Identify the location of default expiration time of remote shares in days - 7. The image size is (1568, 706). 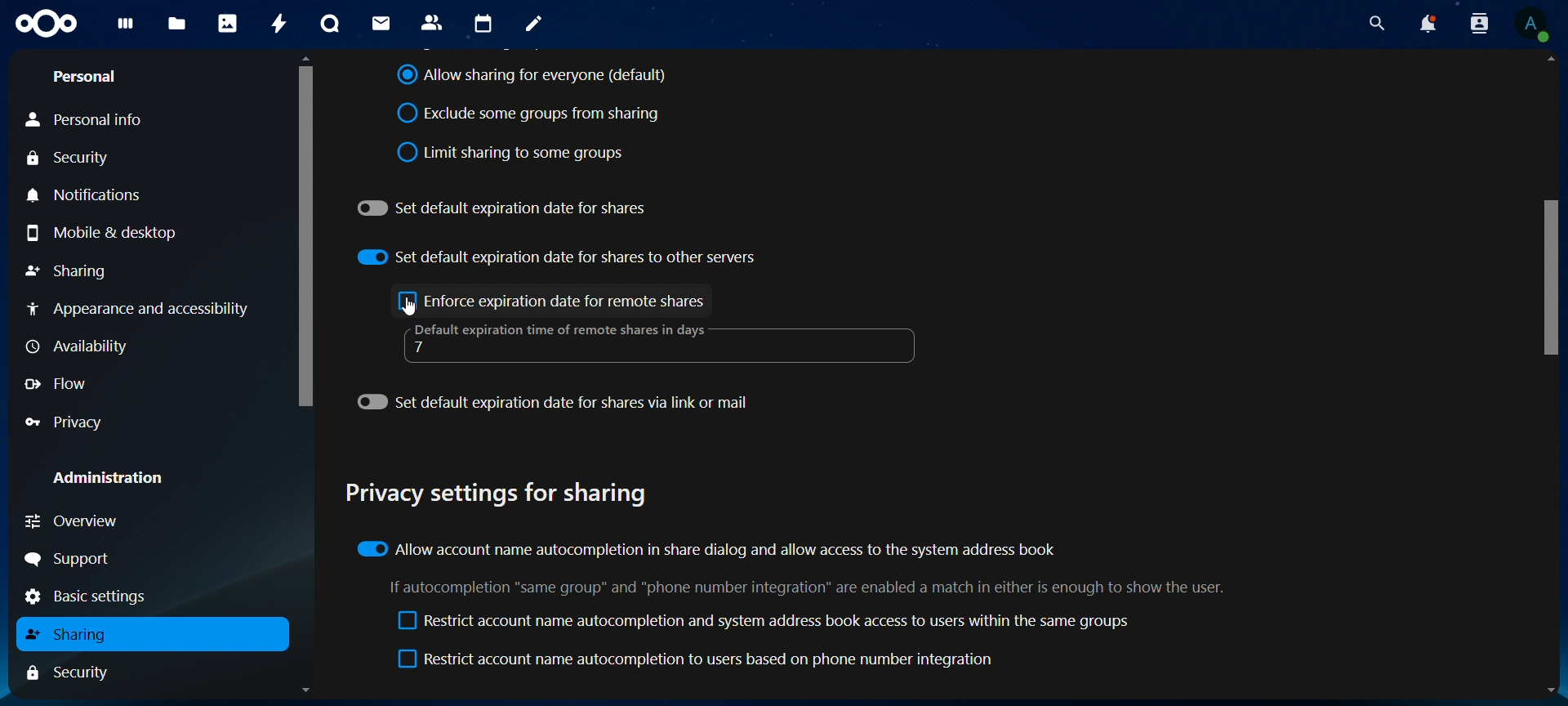
(568, 341).